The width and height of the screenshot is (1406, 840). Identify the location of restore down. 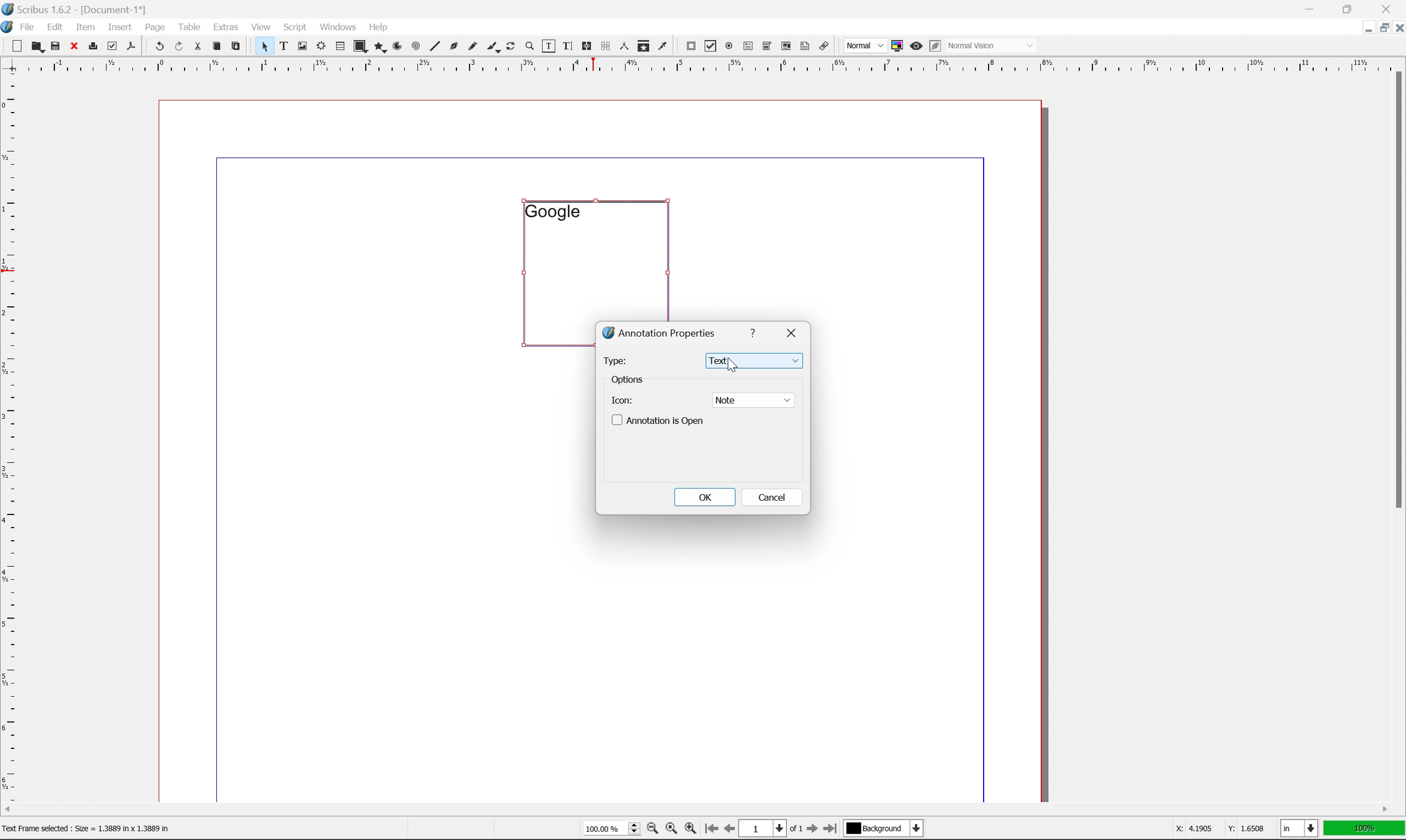
(1351, 8).